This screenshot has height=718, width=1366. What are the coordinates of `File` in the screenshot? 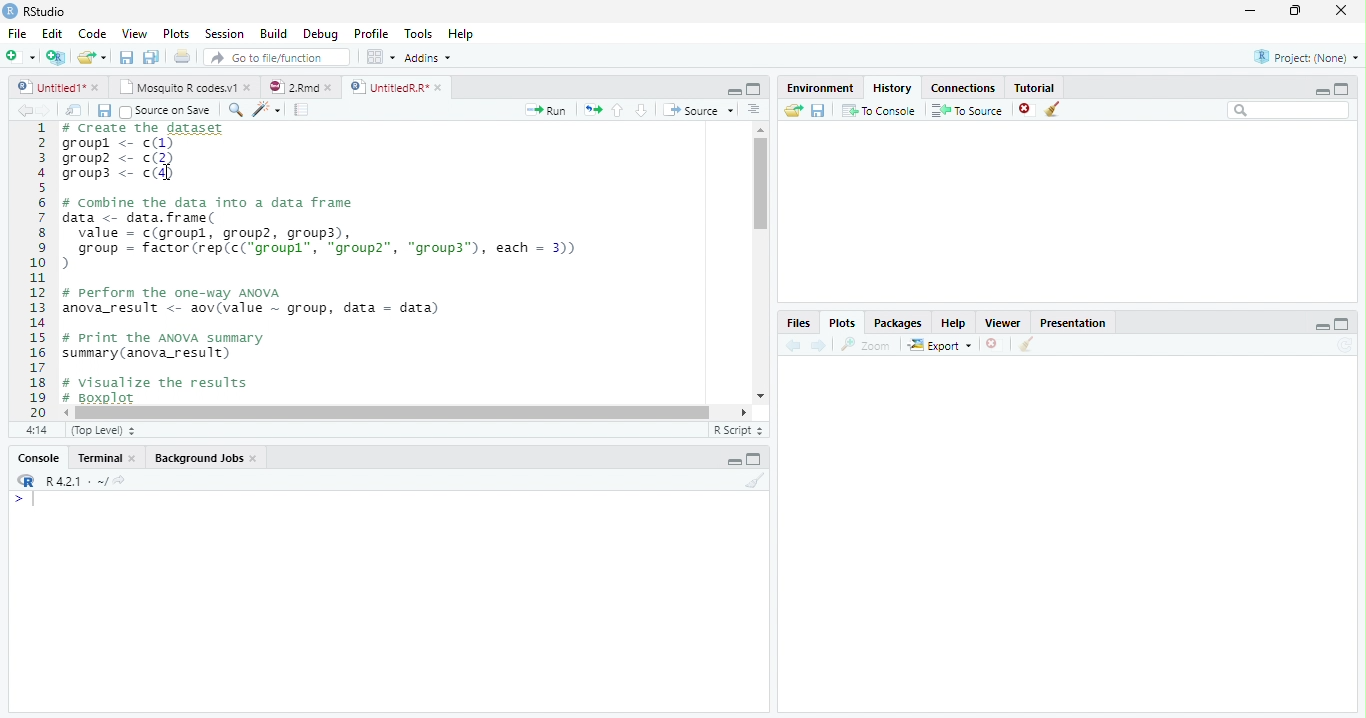 It's located at (15, 31).